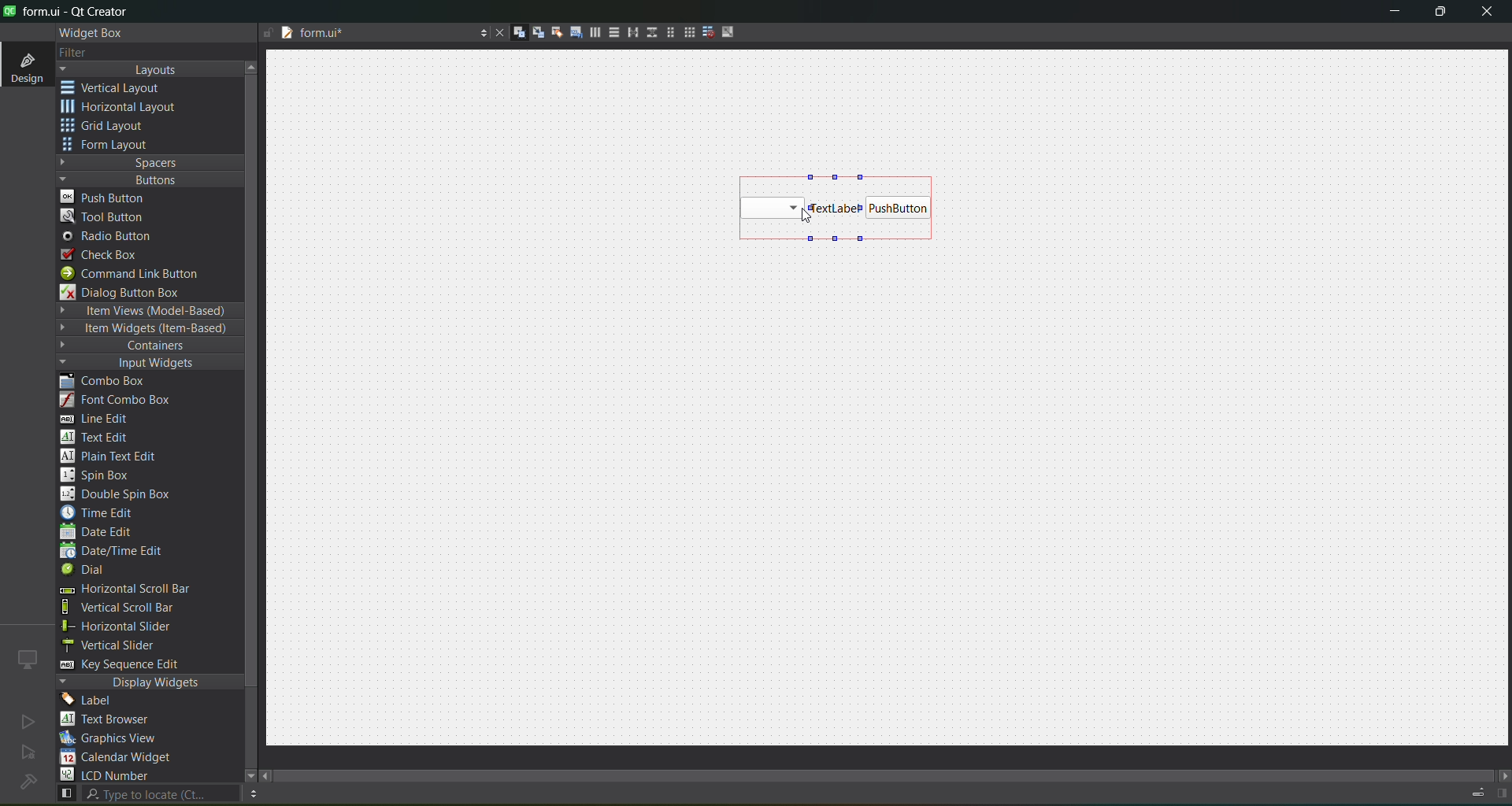 Image resolution: width=1512 pixels, height=806 pixels. Describe the element at coordinates (28, 659) in the screenshot. I see `icon` at that location.